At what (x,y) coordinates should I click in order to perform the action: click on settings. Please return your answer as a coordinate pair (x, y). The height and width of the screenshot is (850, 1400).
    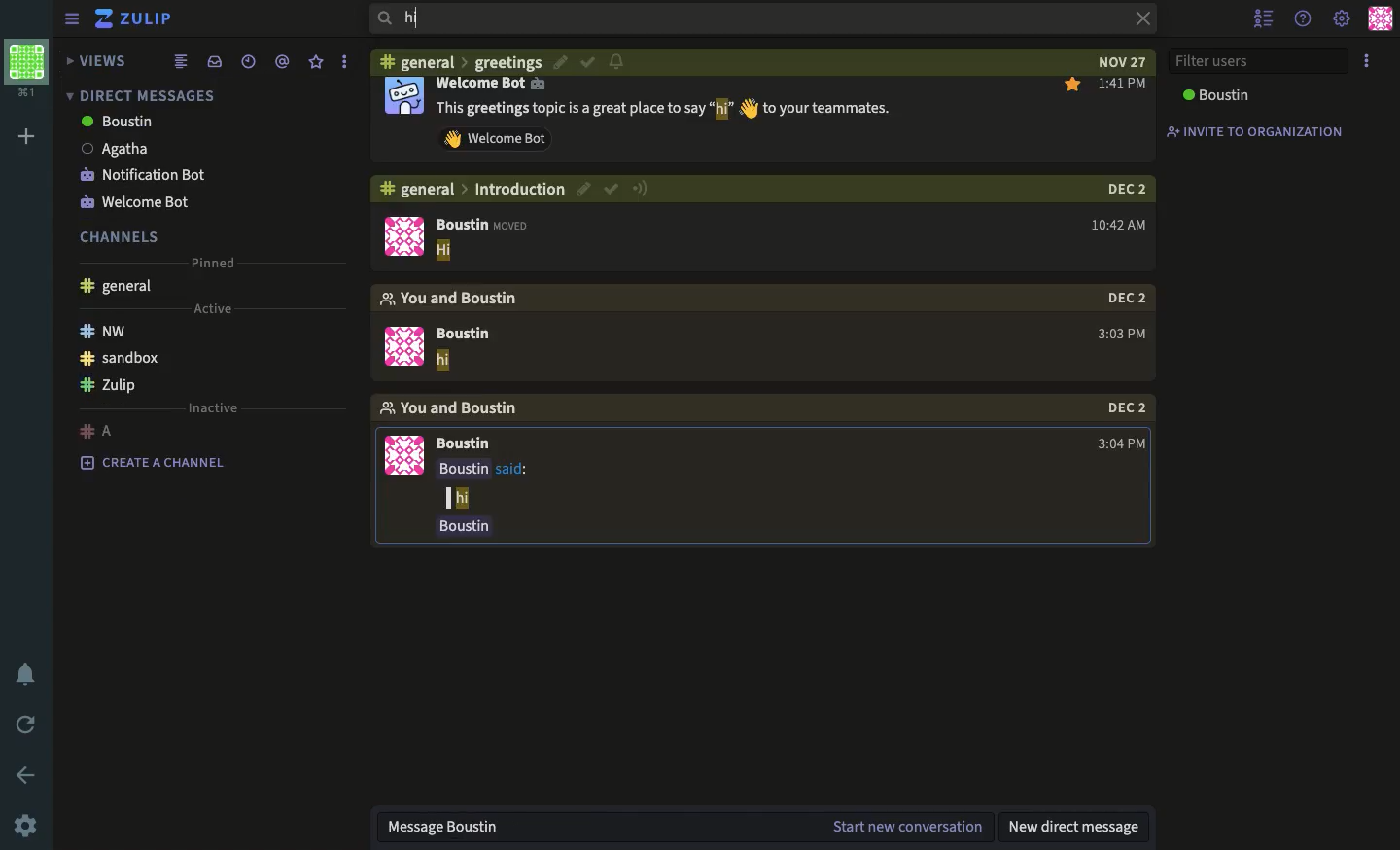
    Looking at the image, I should click on (1343, 18).